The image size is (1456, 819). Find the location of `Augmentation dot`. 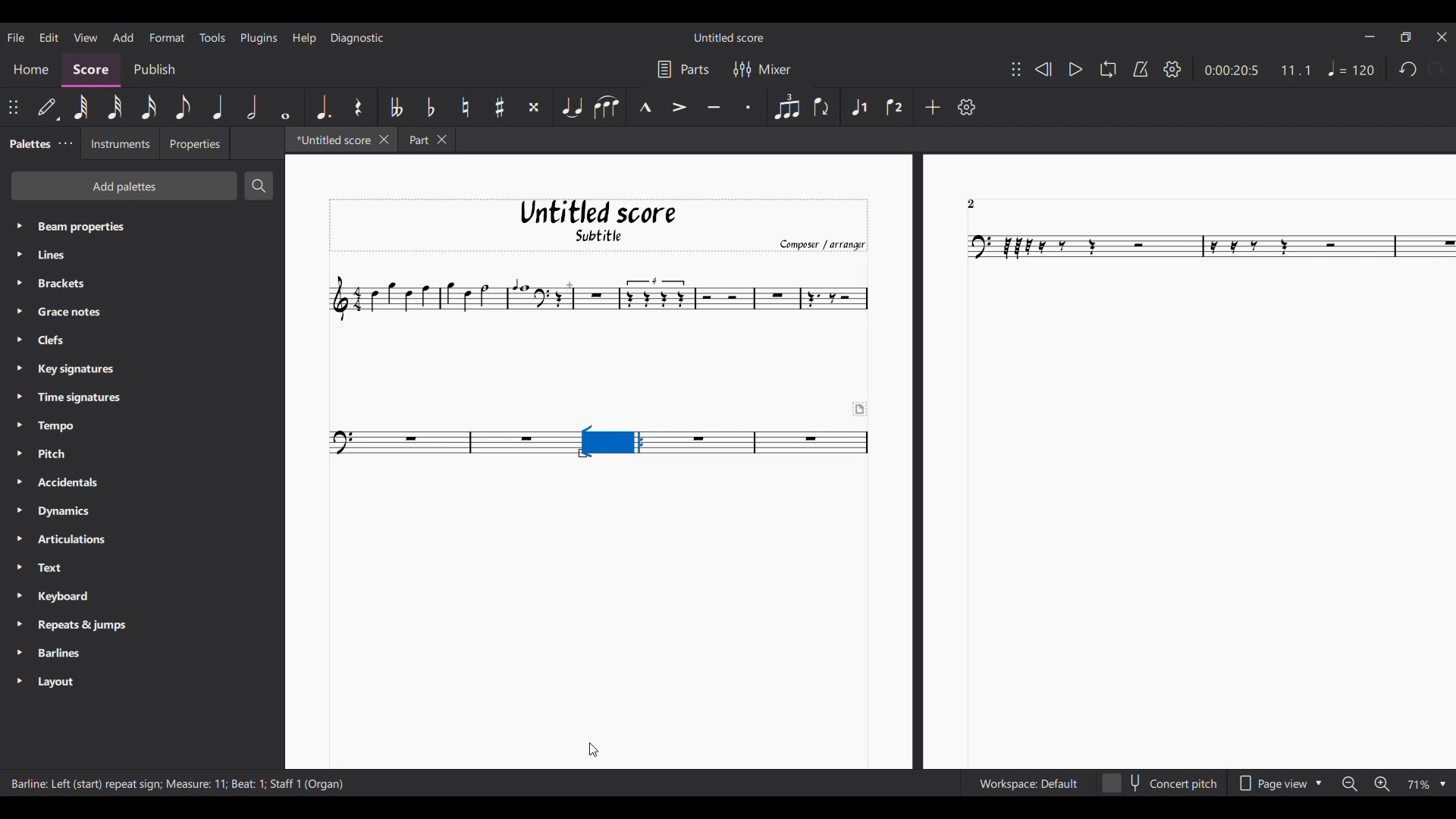

Augmentation dot is located at coordinates (323, 107).